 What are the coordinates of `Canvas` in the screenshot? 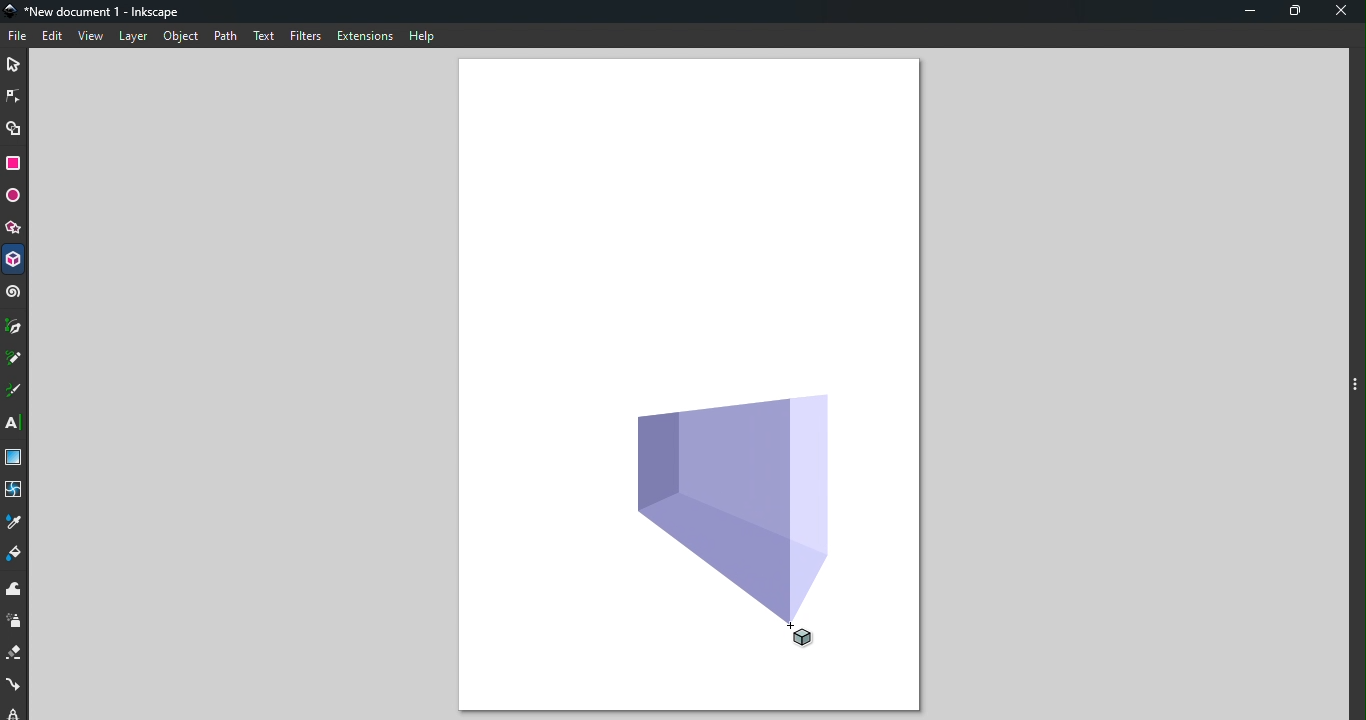 It's located at (688, 218).